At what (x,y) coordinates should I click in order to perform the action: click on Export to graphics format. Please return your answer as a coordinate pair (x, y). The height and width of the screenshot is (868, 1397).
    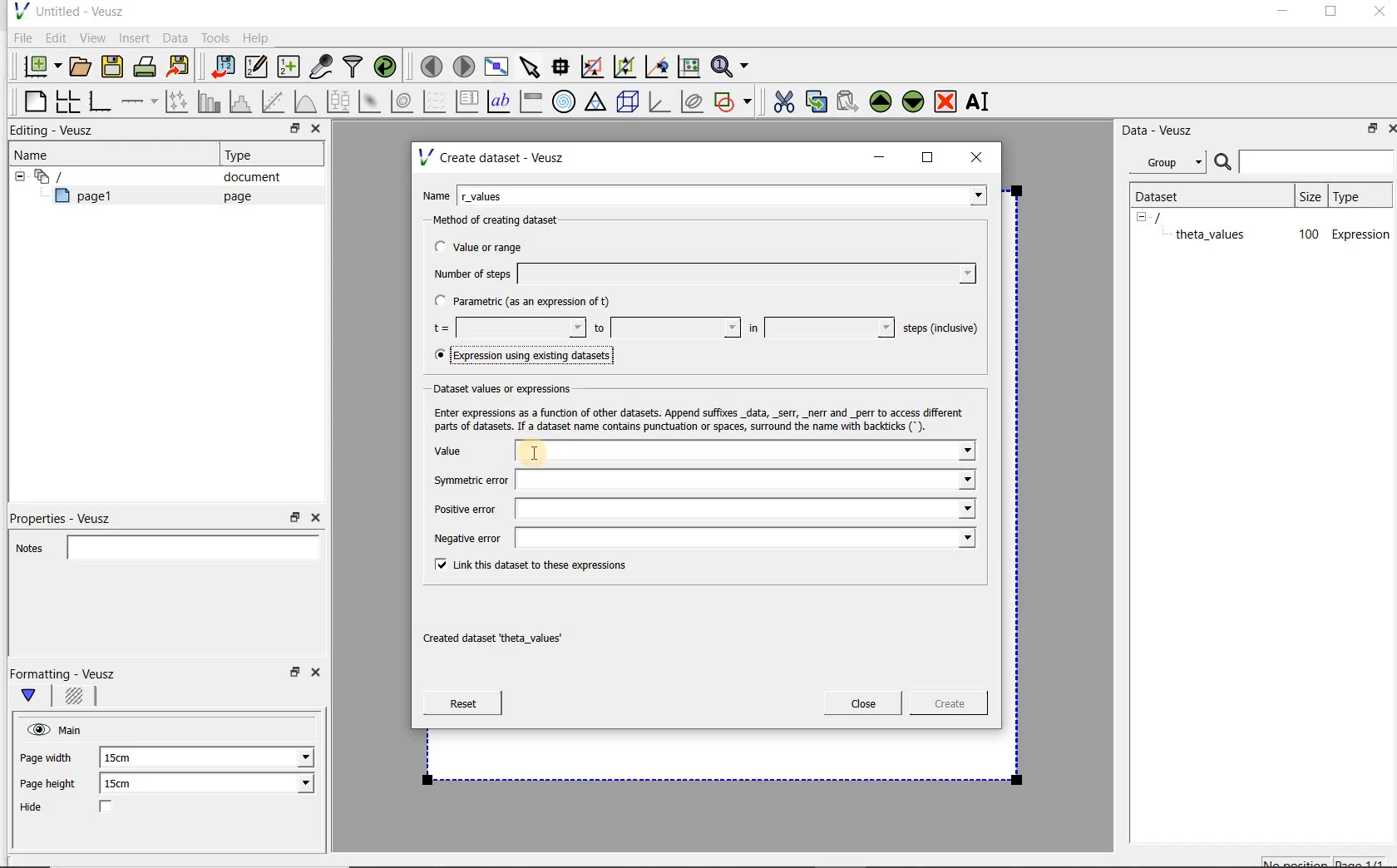
    Looking at the image, I should click on (179, 68).